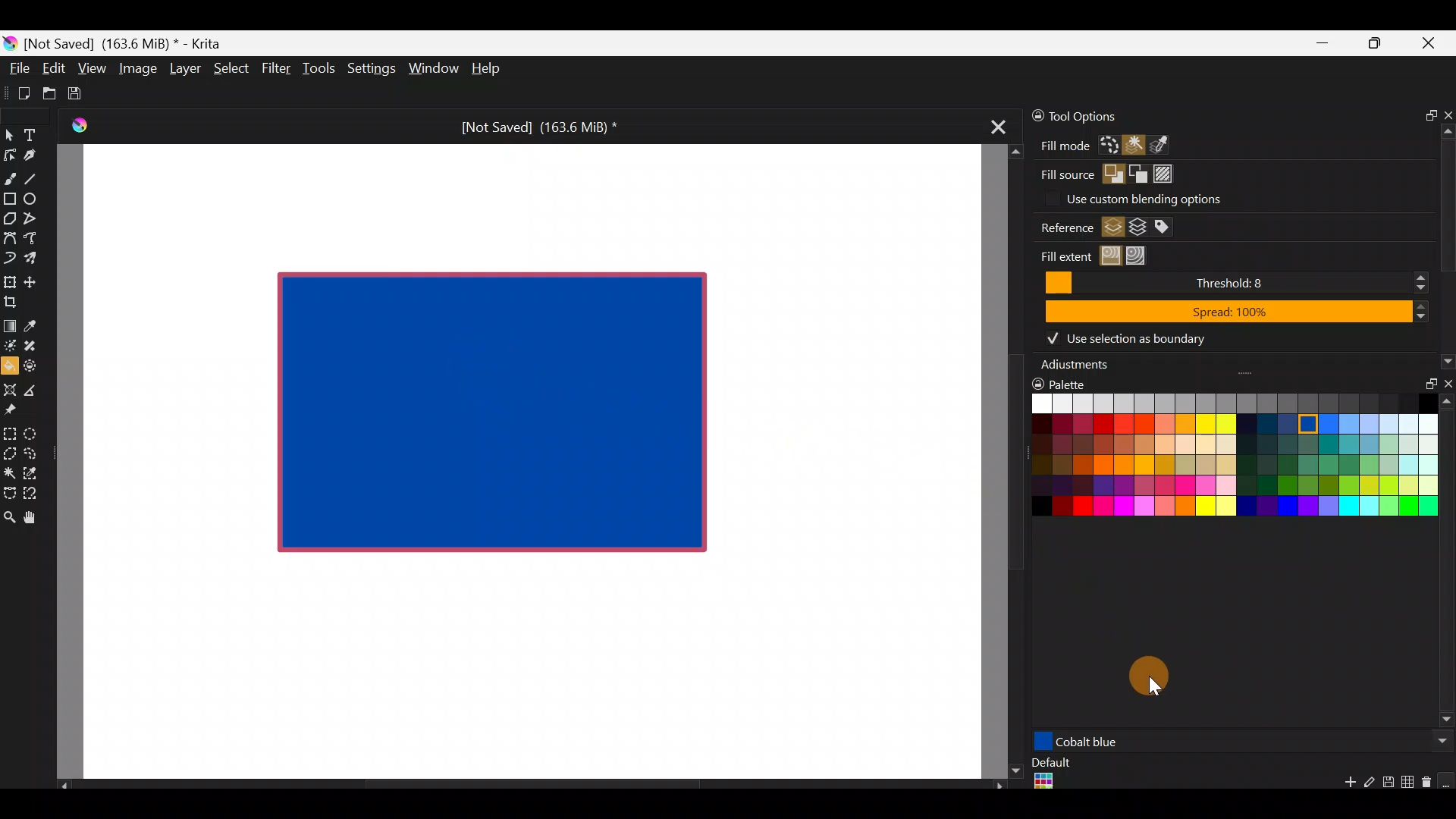  What do you see at coordinates (1168, 143) in the screenshot?
I see `Fill all regions of a similar color` at bounding box center [1168, 143].